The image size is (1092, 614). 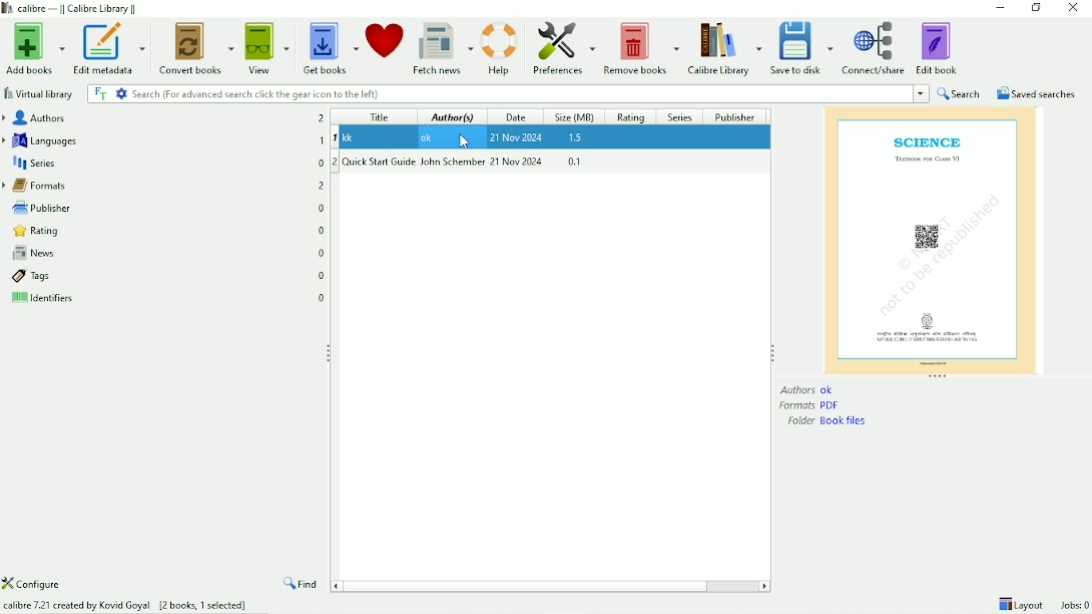 What do you see at coordinates (166, 254) in the screenshot?
I see `News` at bounding box center [166, 254].